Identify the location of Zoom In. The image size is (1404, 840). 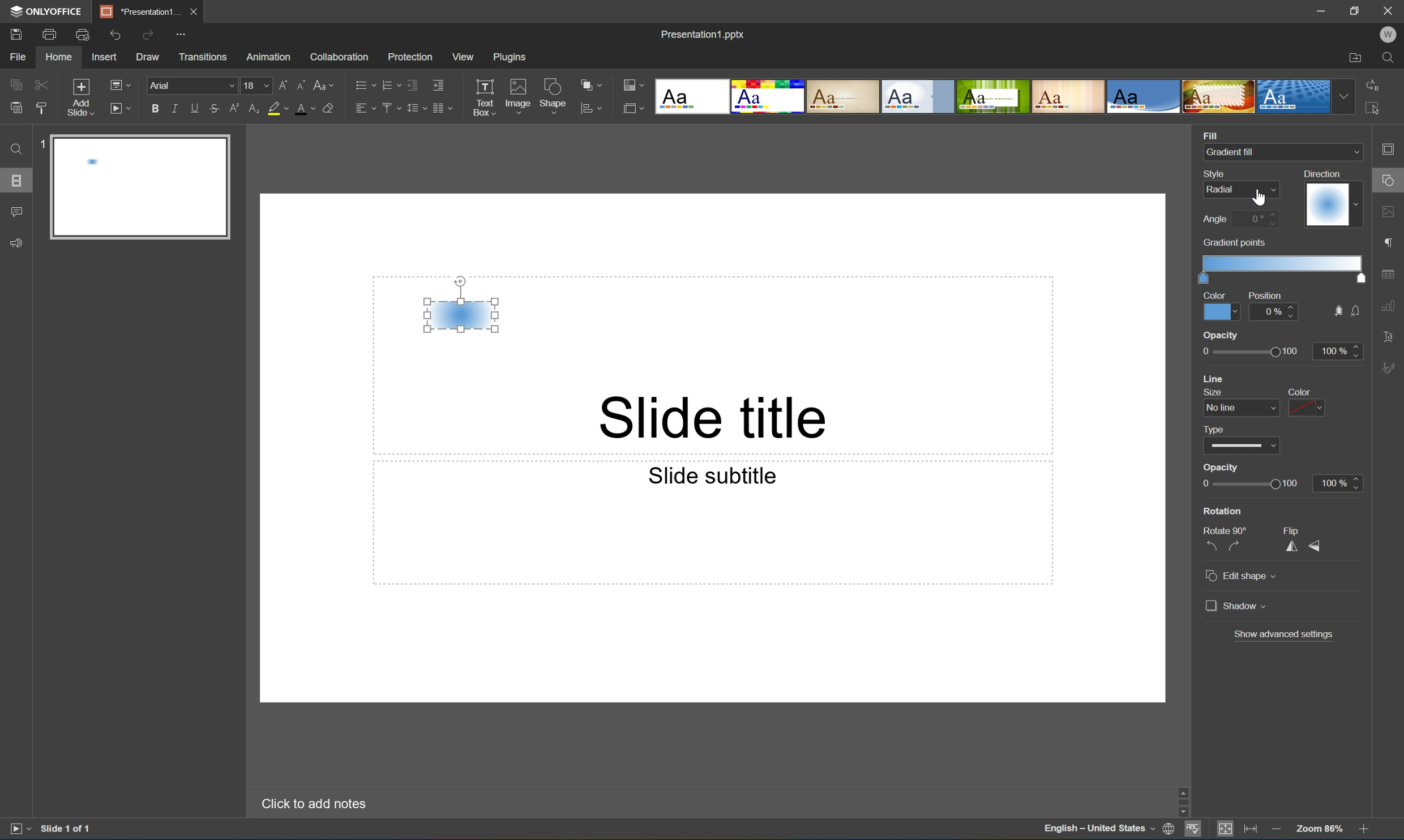
(1363, 831).